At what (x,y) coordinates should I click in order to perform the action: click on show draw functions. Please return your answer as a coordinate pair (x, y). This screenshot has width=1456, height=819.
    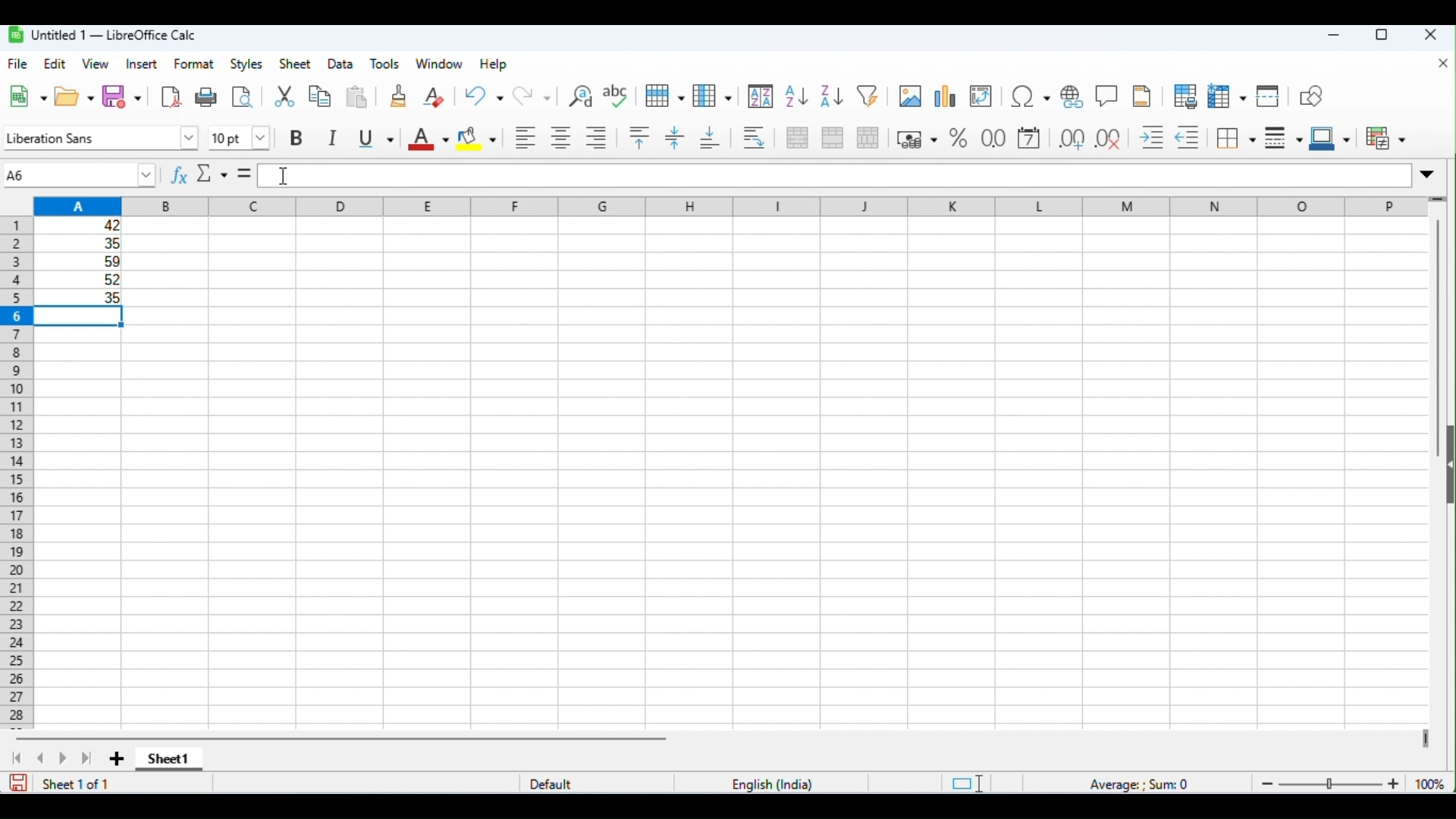
    Looking at the image, I should click on (1311, 97).